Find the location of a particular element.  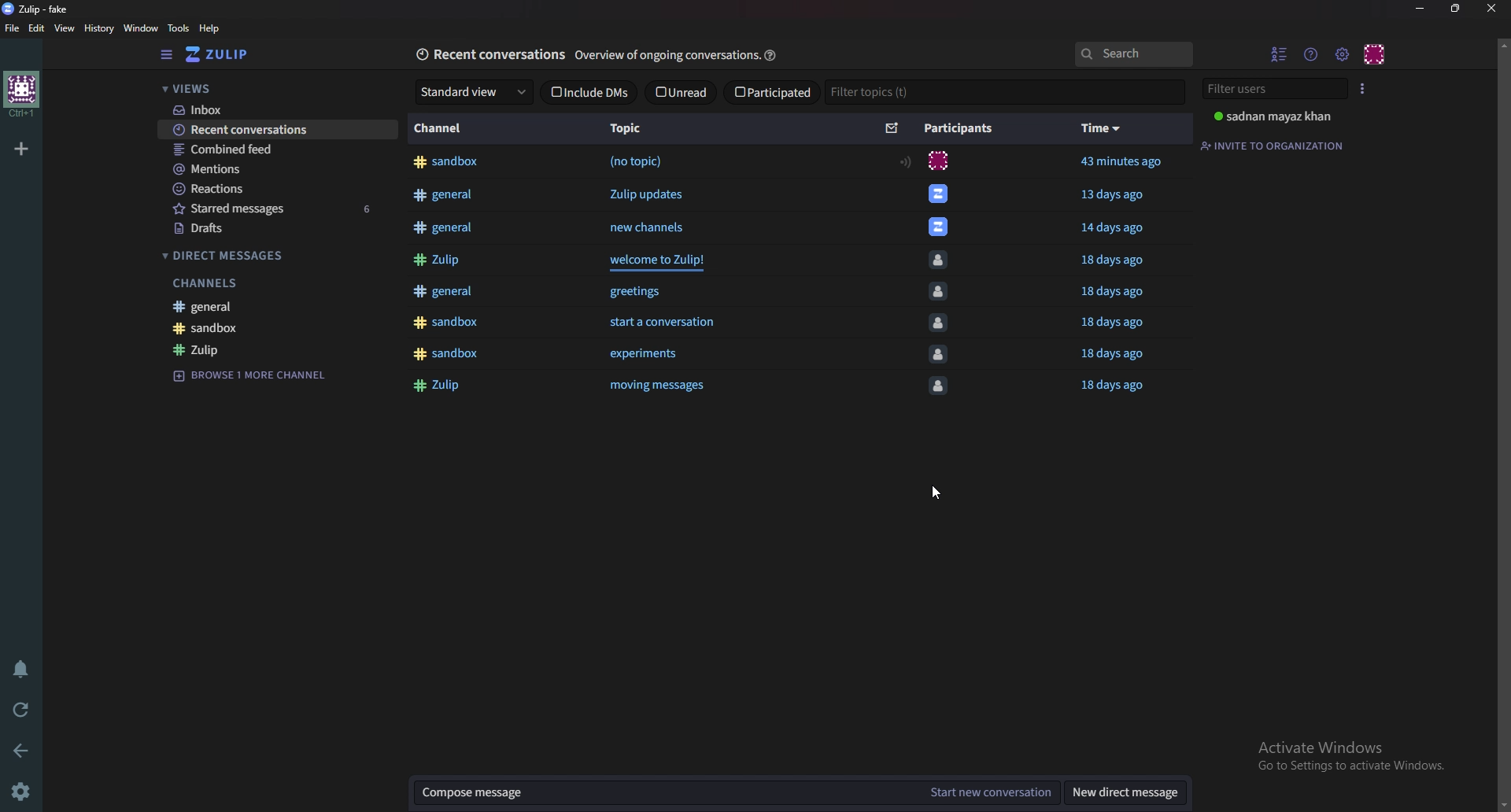

Tools is located at coordinates (179, 28).